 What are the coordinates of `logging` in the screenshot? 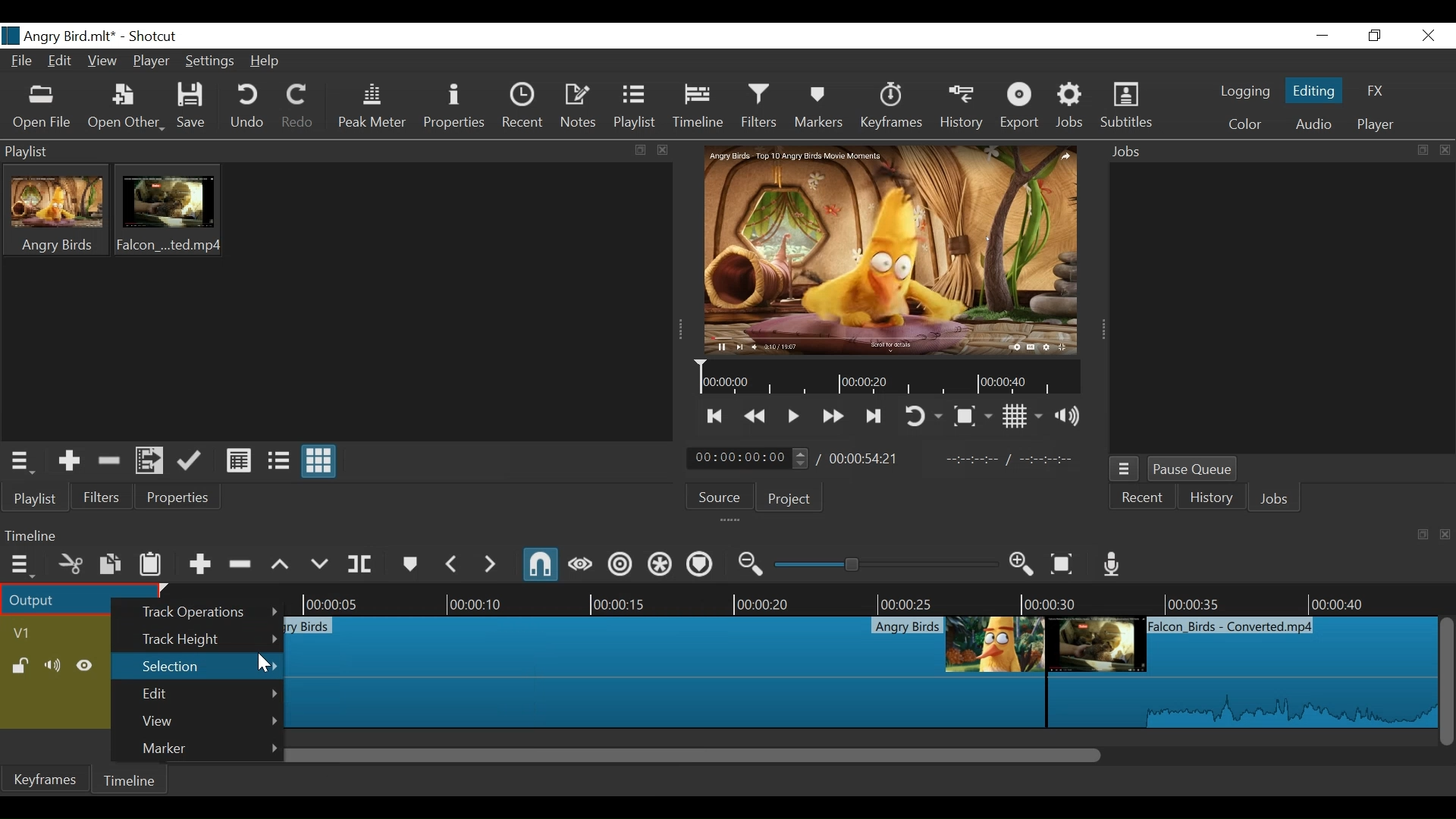 It's located at (1244, 91).